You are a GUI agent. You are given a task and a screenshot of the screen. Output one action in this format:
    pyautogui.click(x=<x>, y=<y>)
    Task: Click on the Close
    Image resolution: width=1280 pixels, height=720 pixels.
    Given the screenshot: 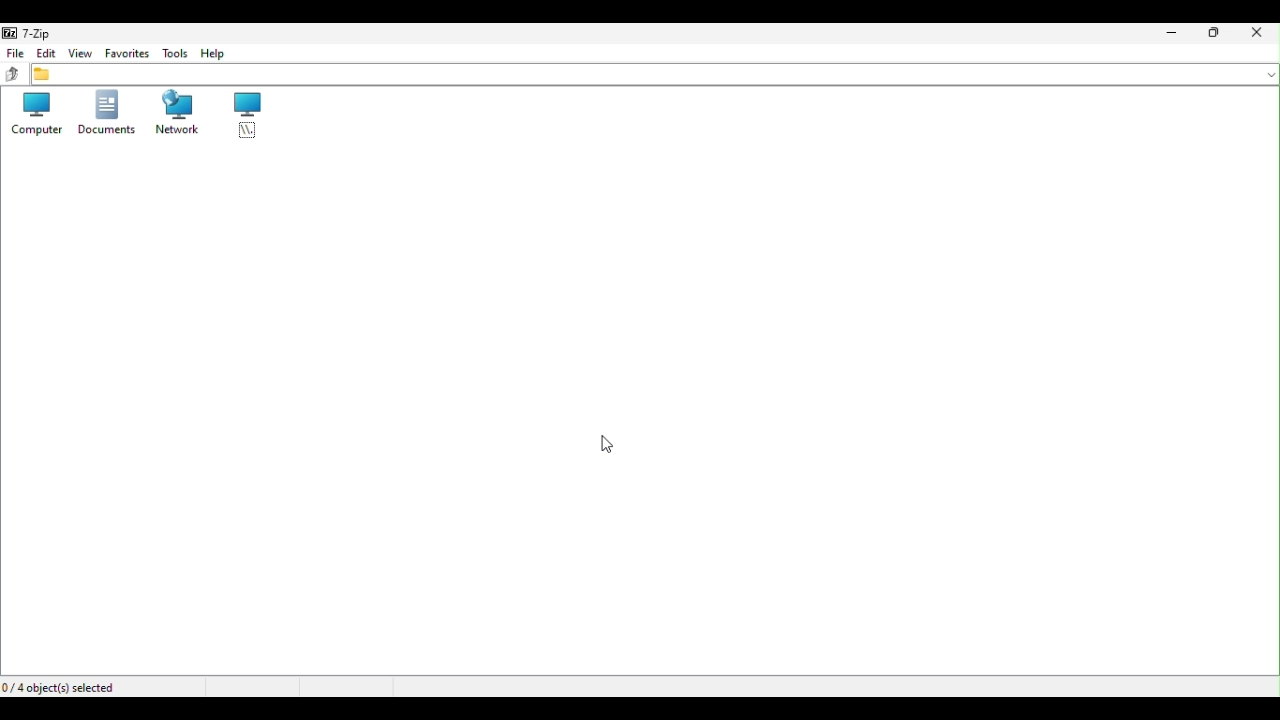 What is the action you would take?
    pyautogui.click(x=1263, y=31)
    